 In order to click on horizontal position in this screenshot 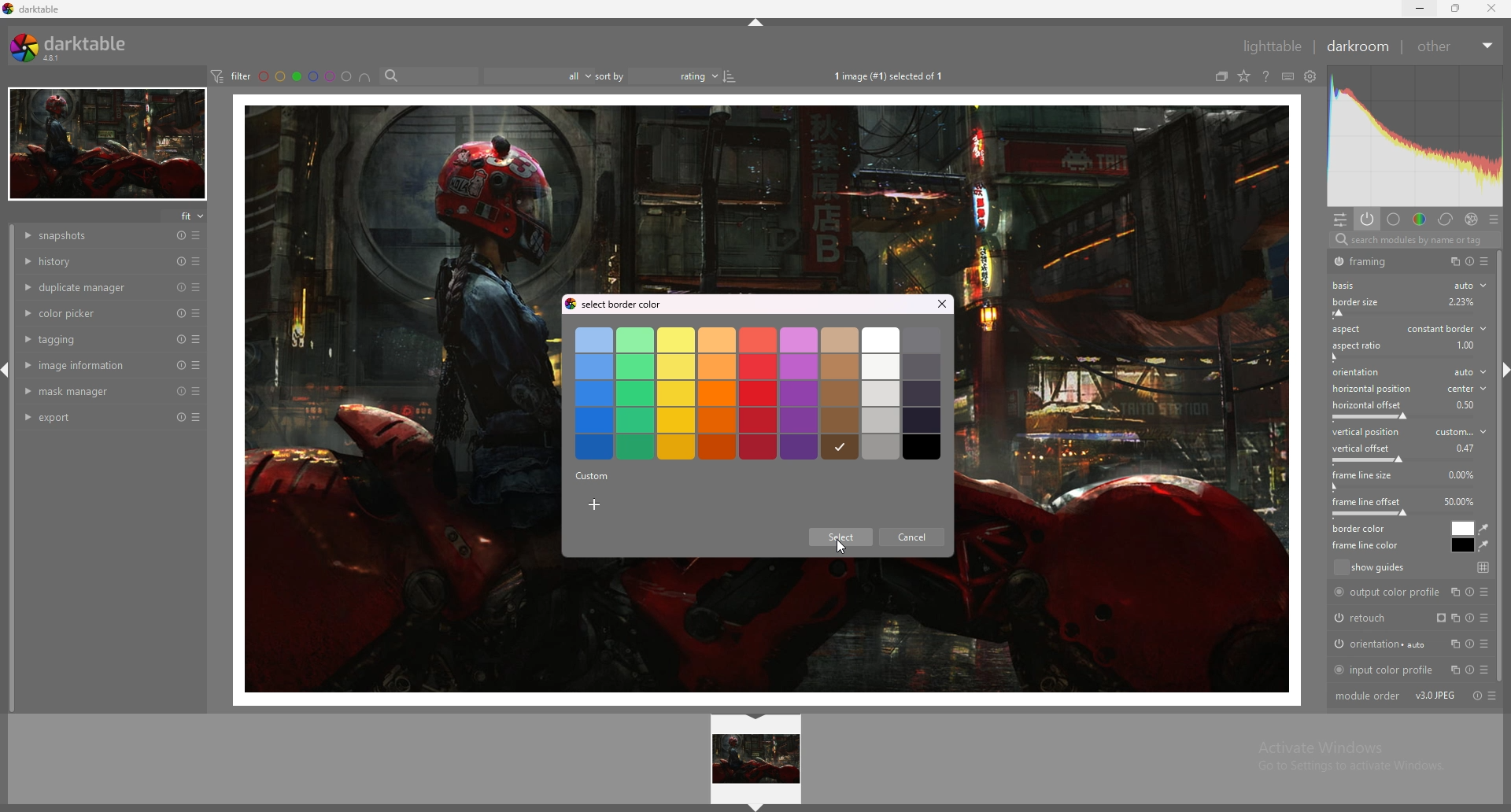, I will do `click(1408, 389)`.